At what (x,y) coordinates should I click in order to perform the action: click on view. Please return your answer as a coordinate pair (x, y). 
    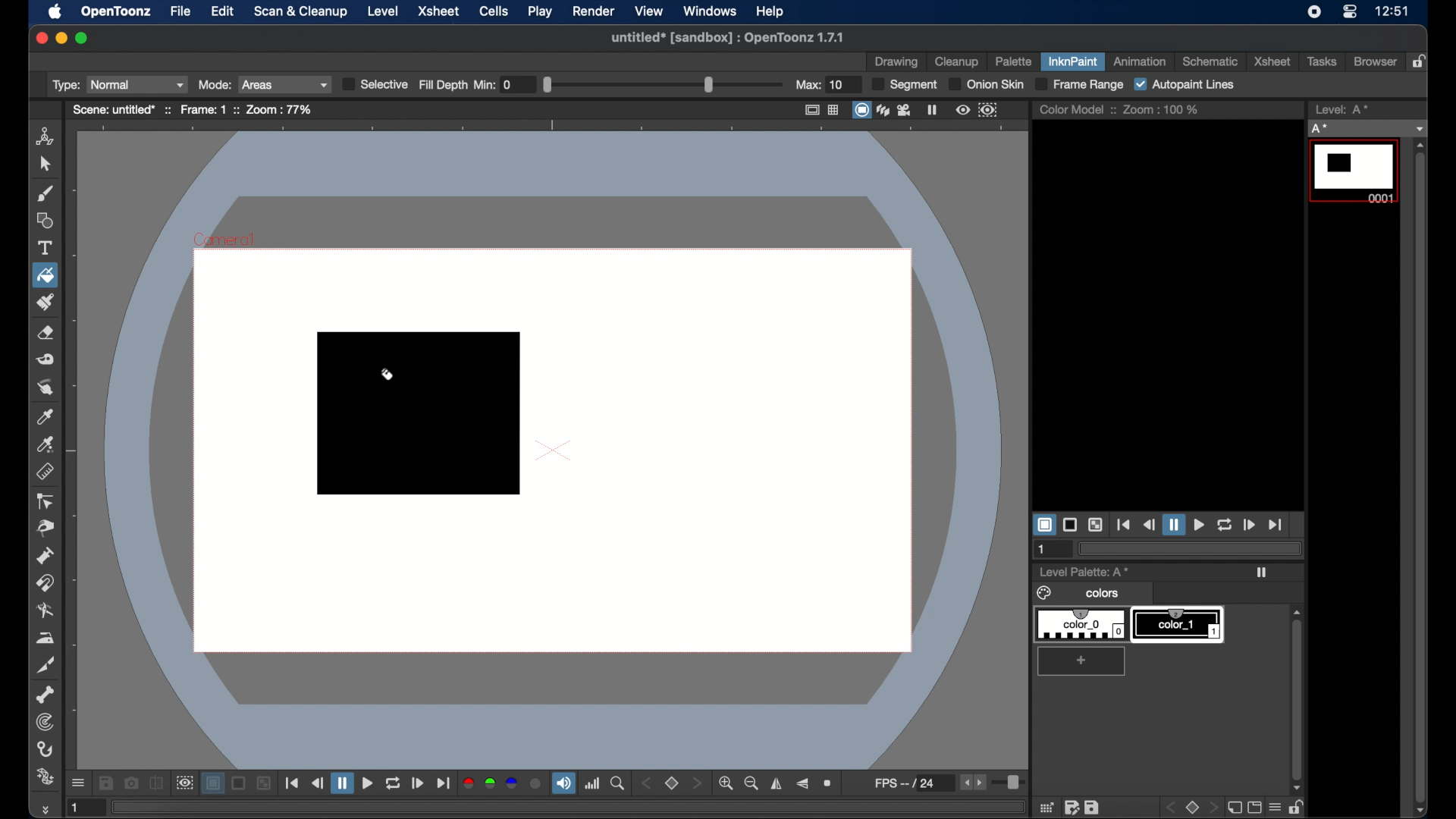
    Looking at the image, I should click on (650, 11).